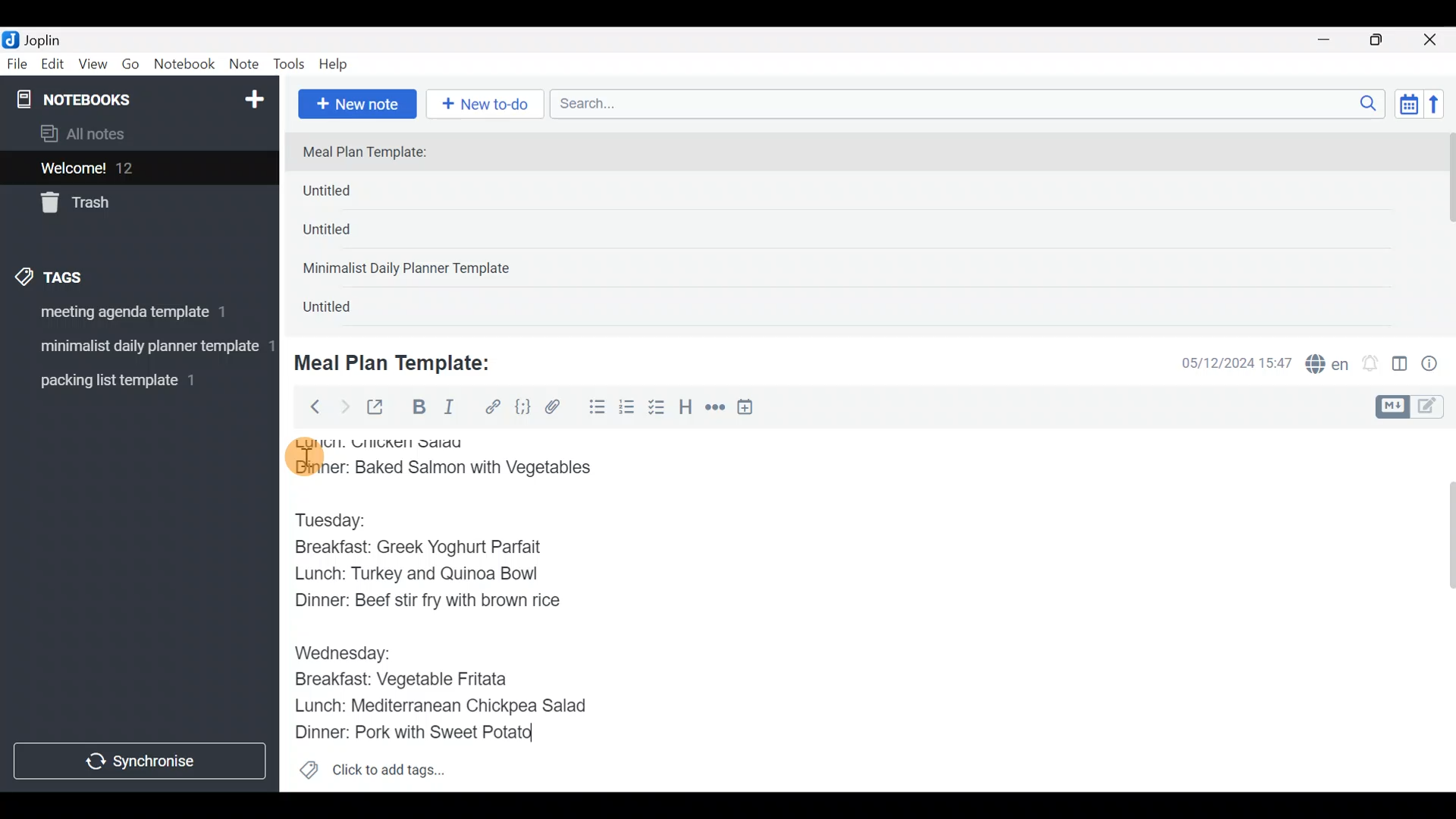 This screenshot has height=819, width=1456. What do you see at coordinates (971, 102) in the screenshot?
I see `Search bar` at bounding box center [971, 102].